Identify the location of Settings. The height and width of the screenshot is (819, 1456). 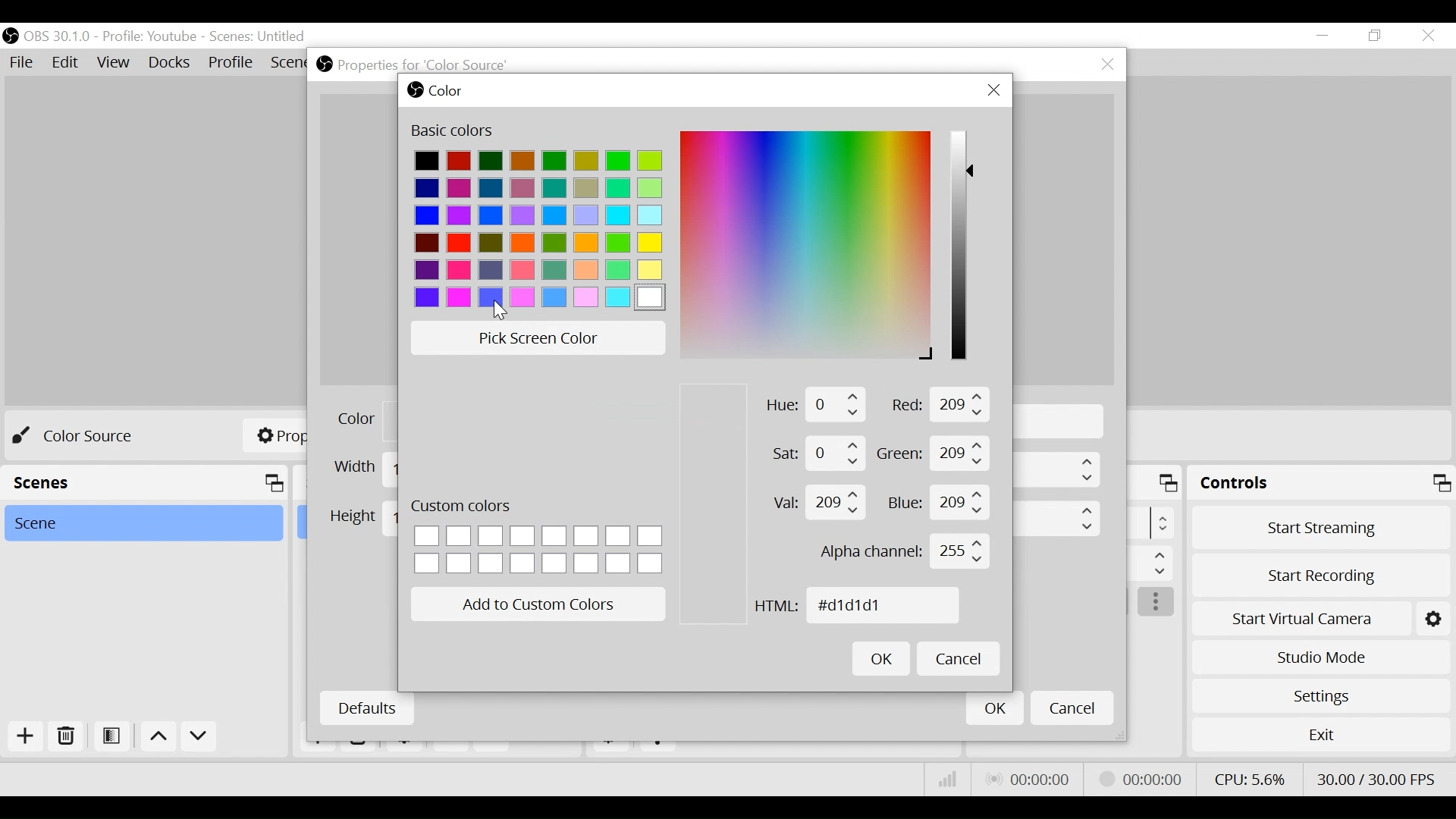
(1322, 696).